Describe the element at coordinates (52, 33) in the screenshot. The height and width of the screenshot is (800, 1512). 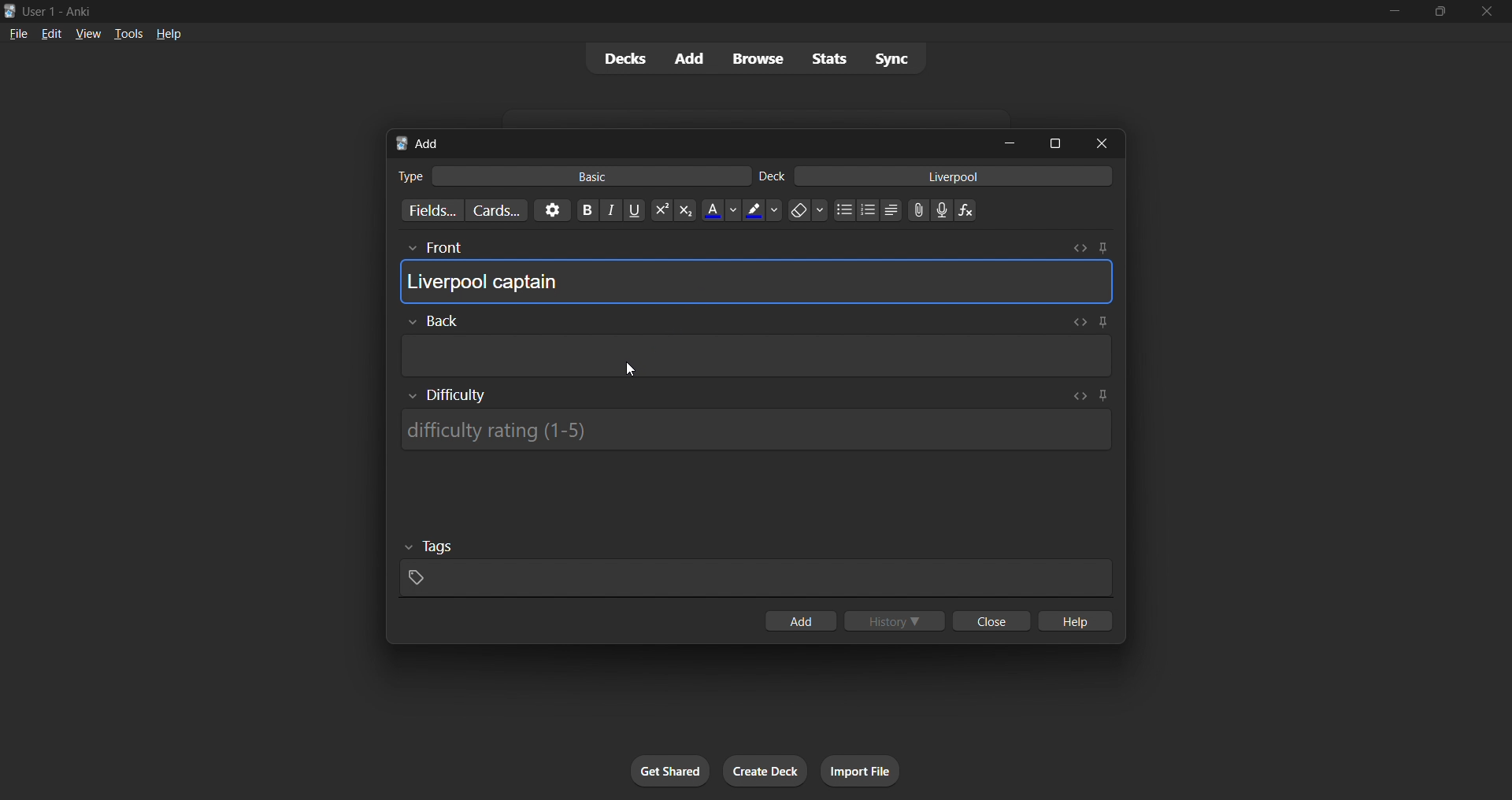
I see `edit` at that location.